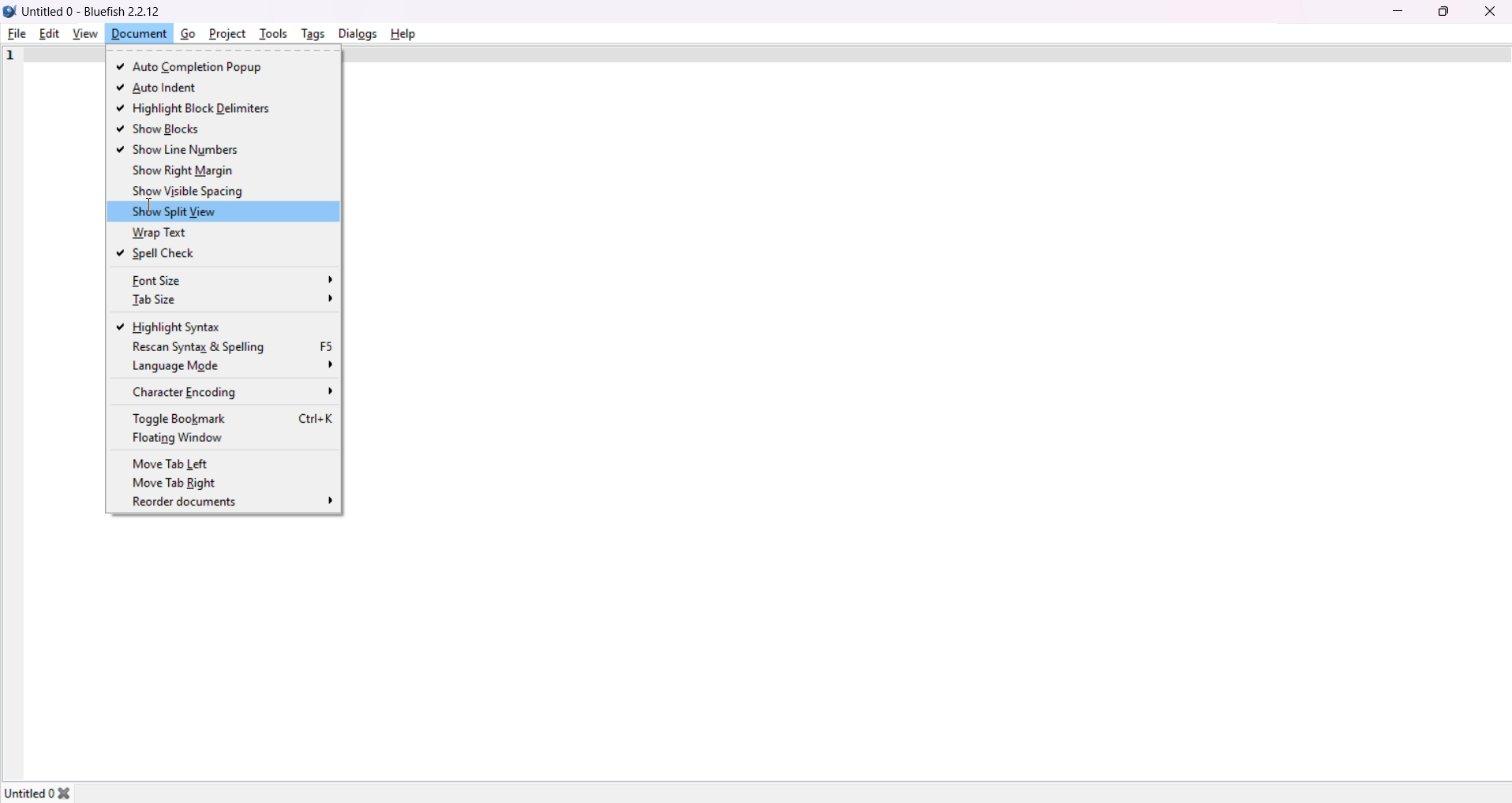 Image resolution: width=1512 pixels, height=803 pixels. Describe the element at coordinates (197, 69) in the screenshot. I see `auto completion popup` at that location.